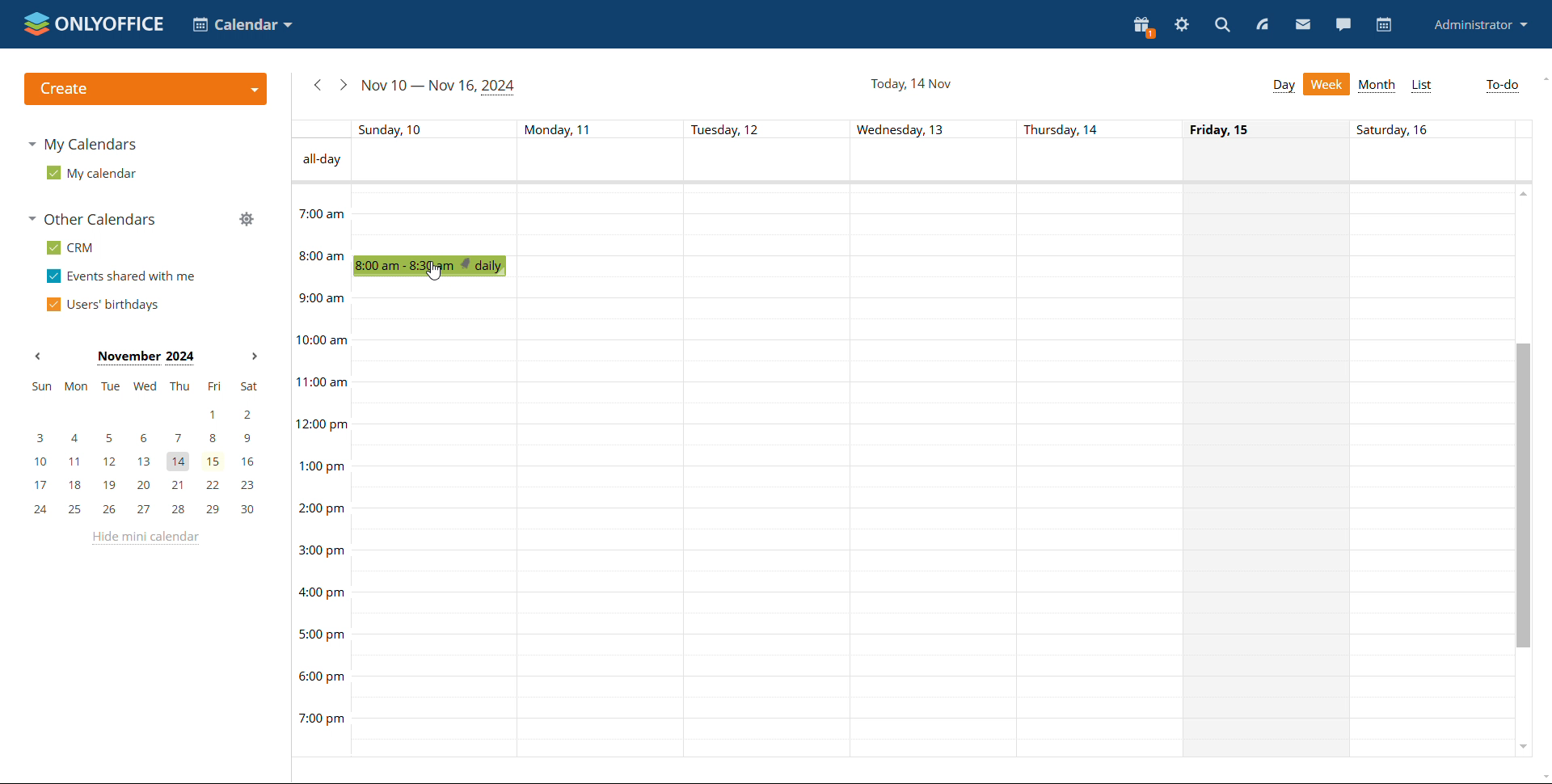  What do you see at coordinates (1327, 84) in the screenshot?
I see `week view` at bounding box center [1327, 84].